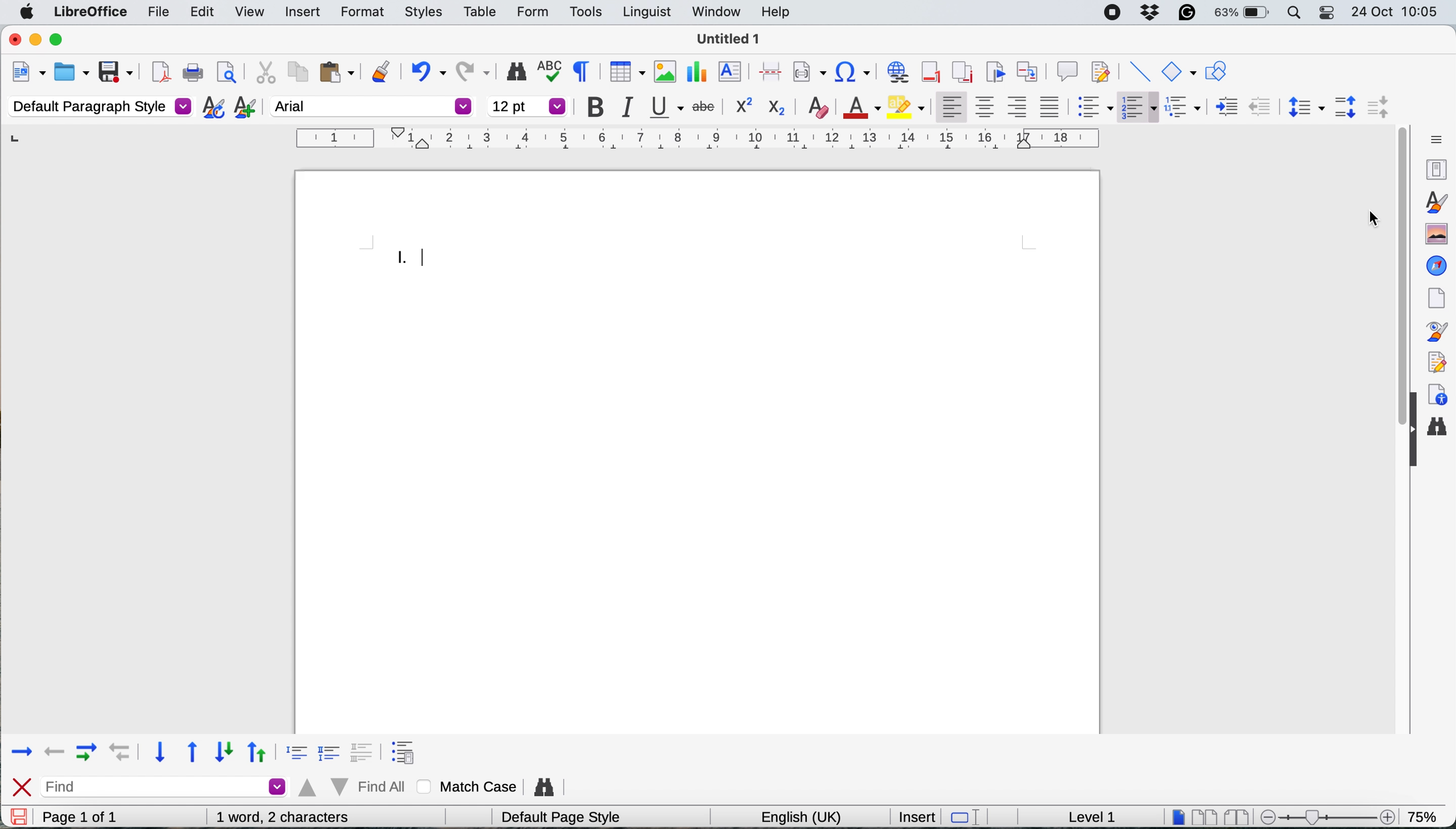 This screenshot has width=1456, height=829. What do you see at coordinates (961, 71) in the screenshot?
I see `insert endnote` at bounding box center [961, 71].